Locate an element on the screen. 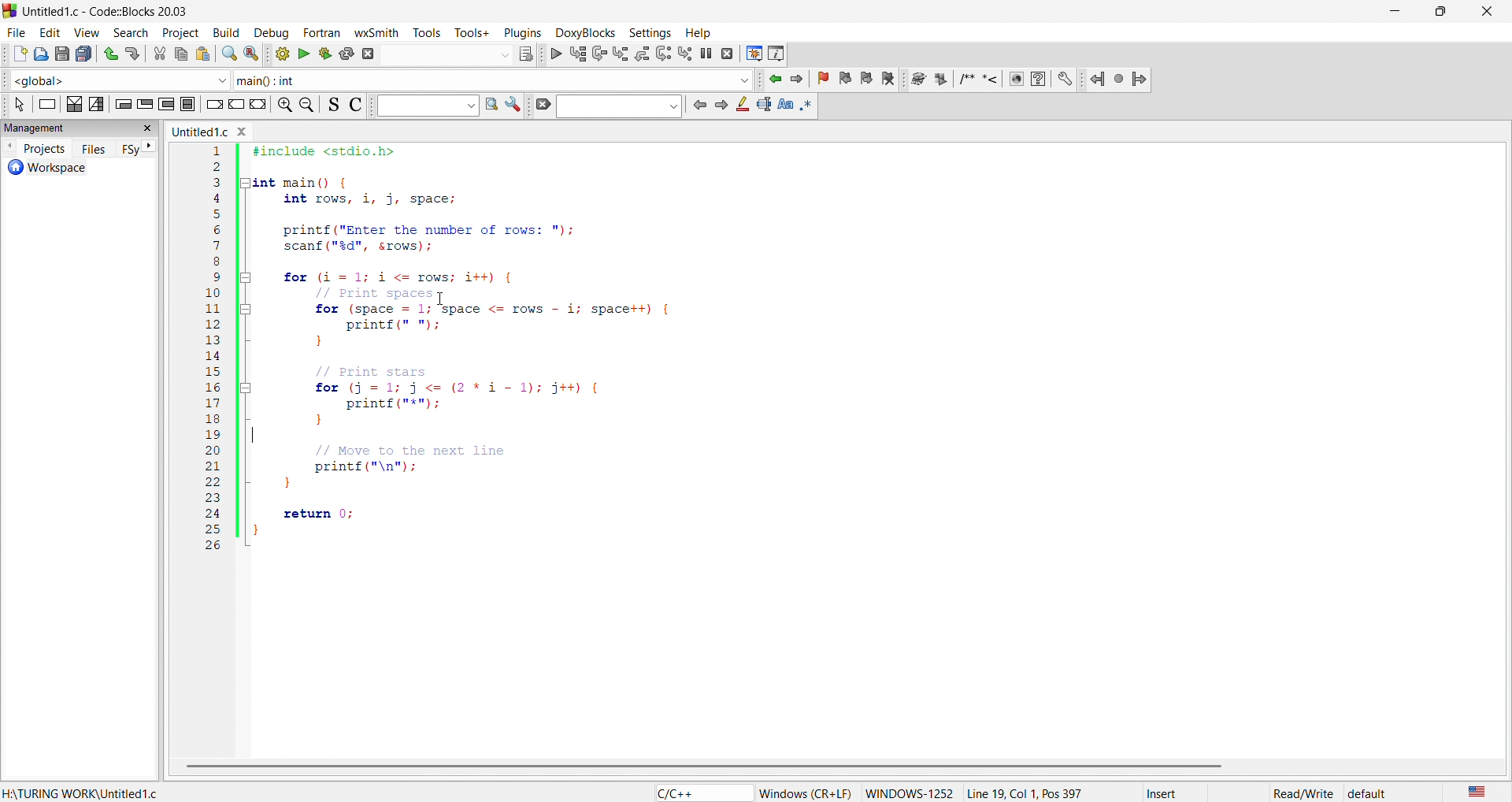 The width and height of the screenshot is (1512, 802). new file is located at coordinates (14, 55).